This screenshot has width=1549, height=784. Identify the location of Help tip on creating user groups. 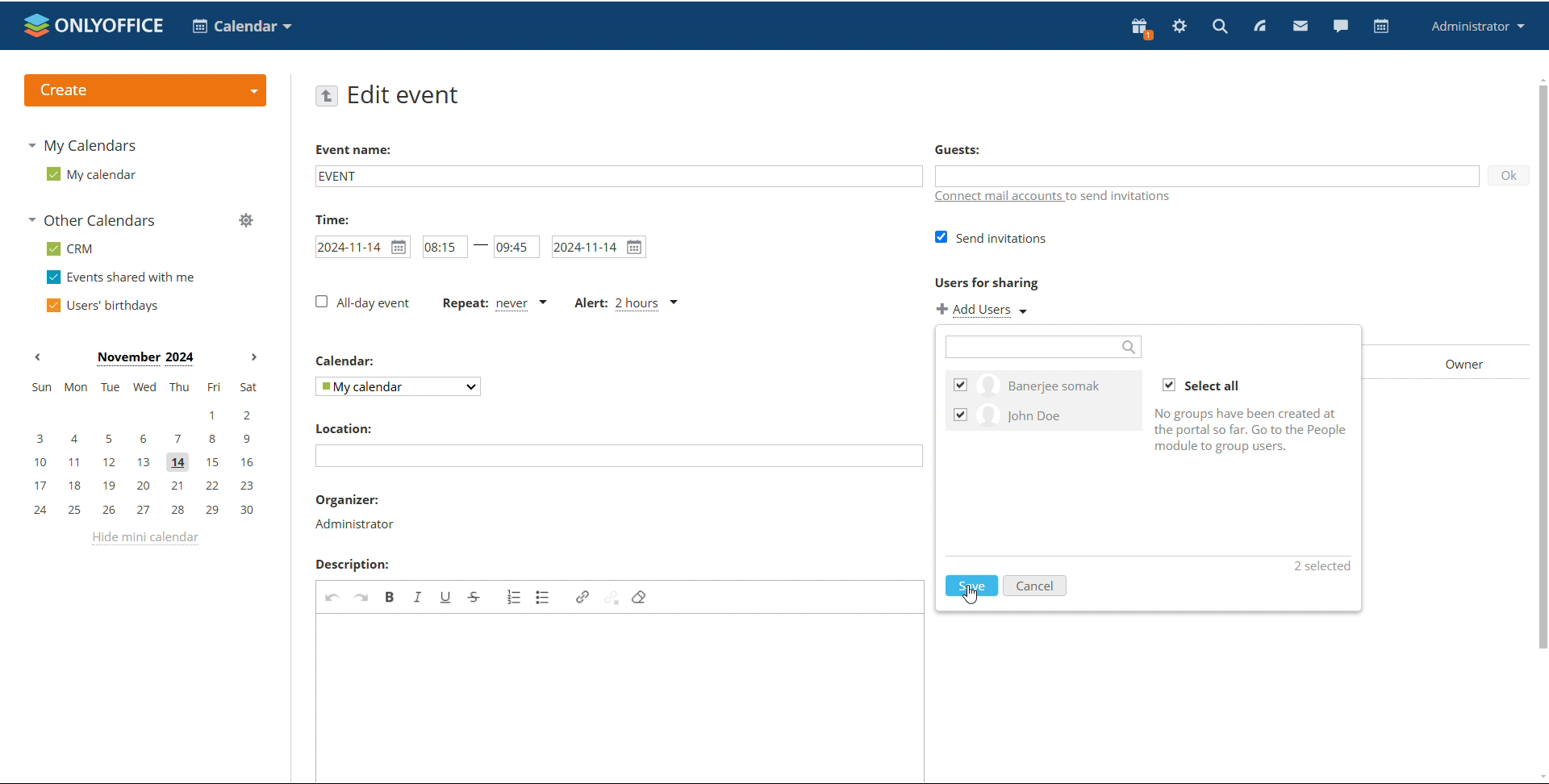
(1251, 432).